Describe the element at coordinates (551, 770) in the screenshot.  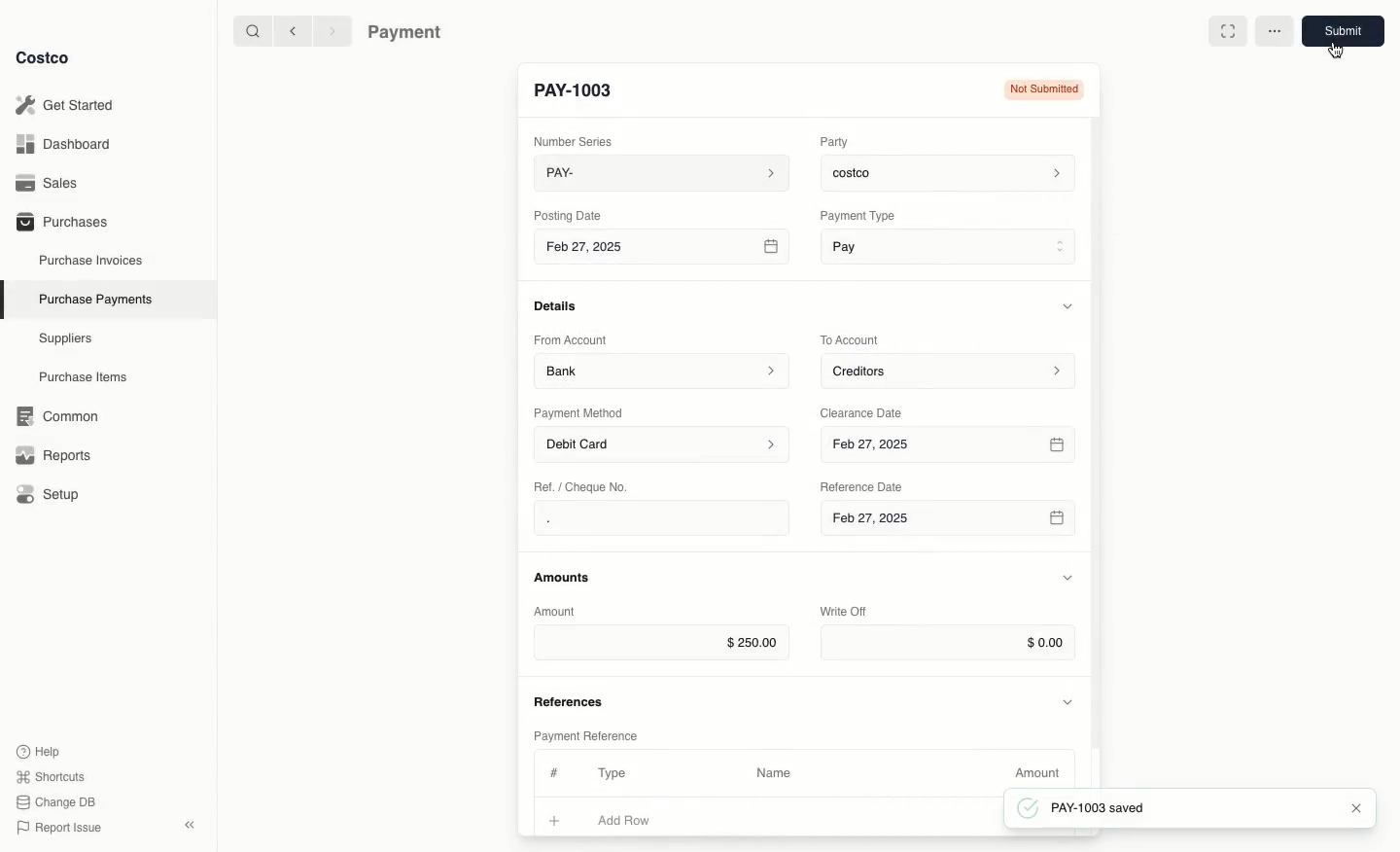
I see `#` at that location.